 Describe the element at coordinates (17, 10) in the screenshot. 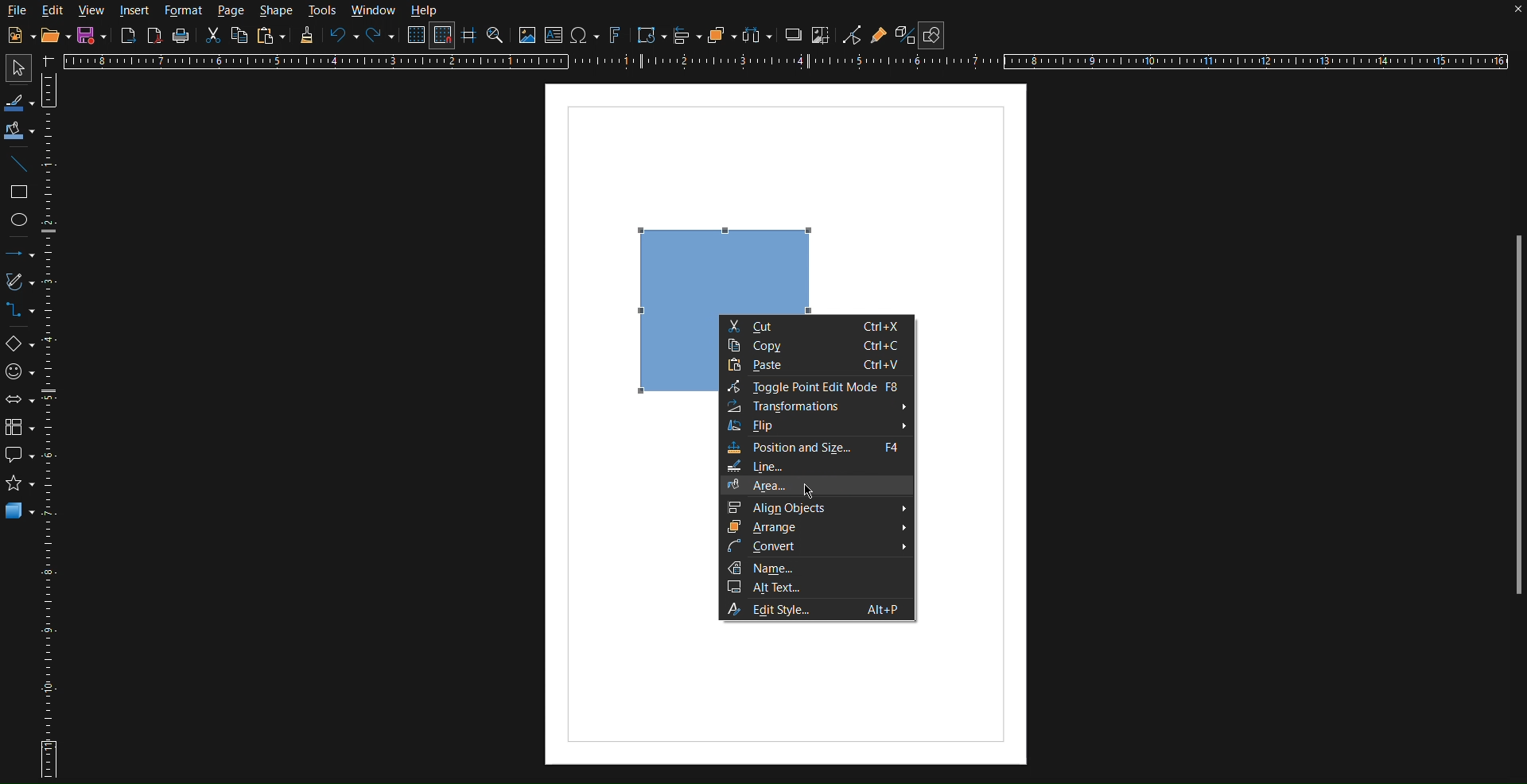

I see `File` at that location.